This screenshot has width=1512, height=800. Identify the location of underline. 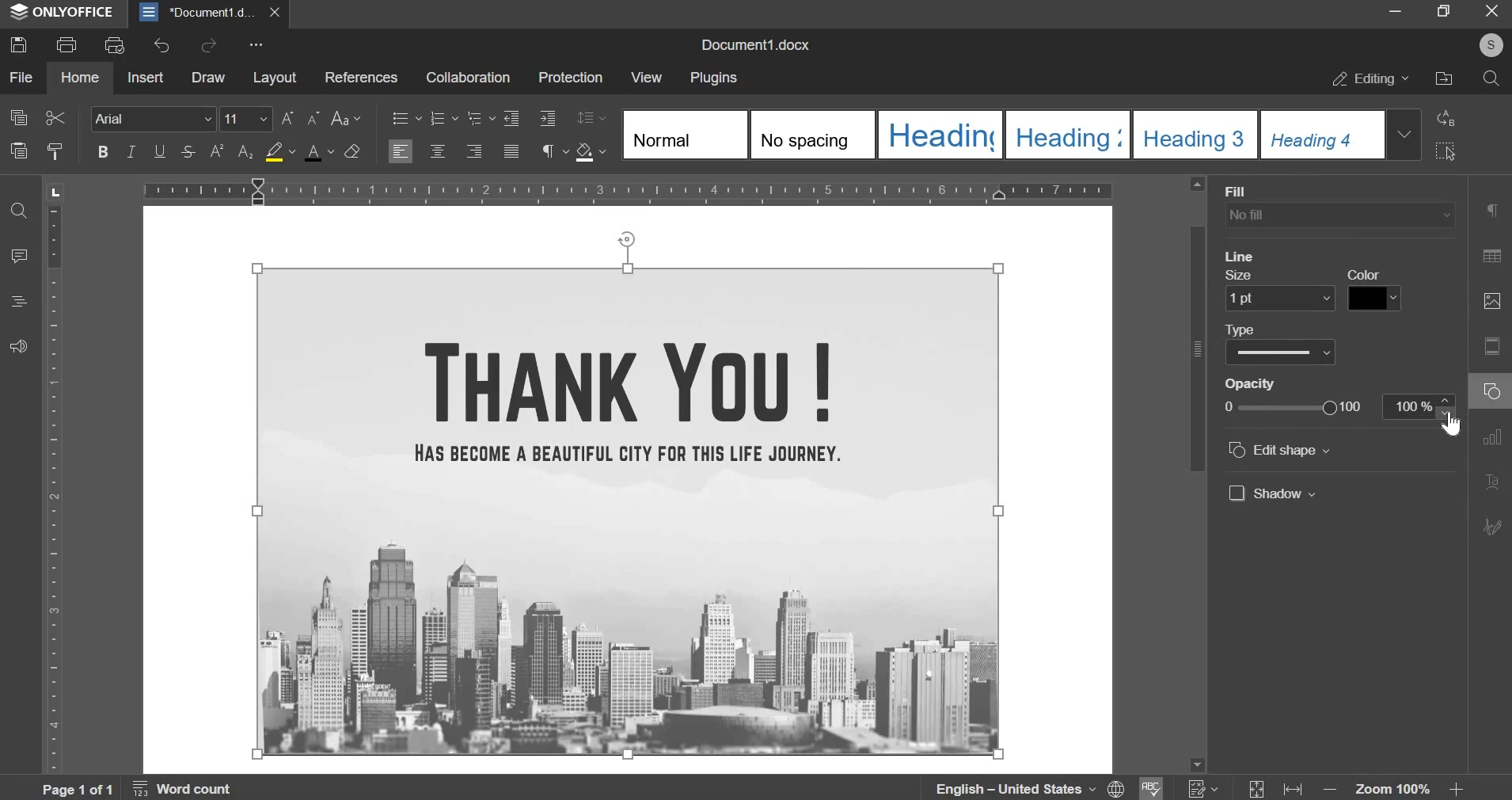
(160, 150).